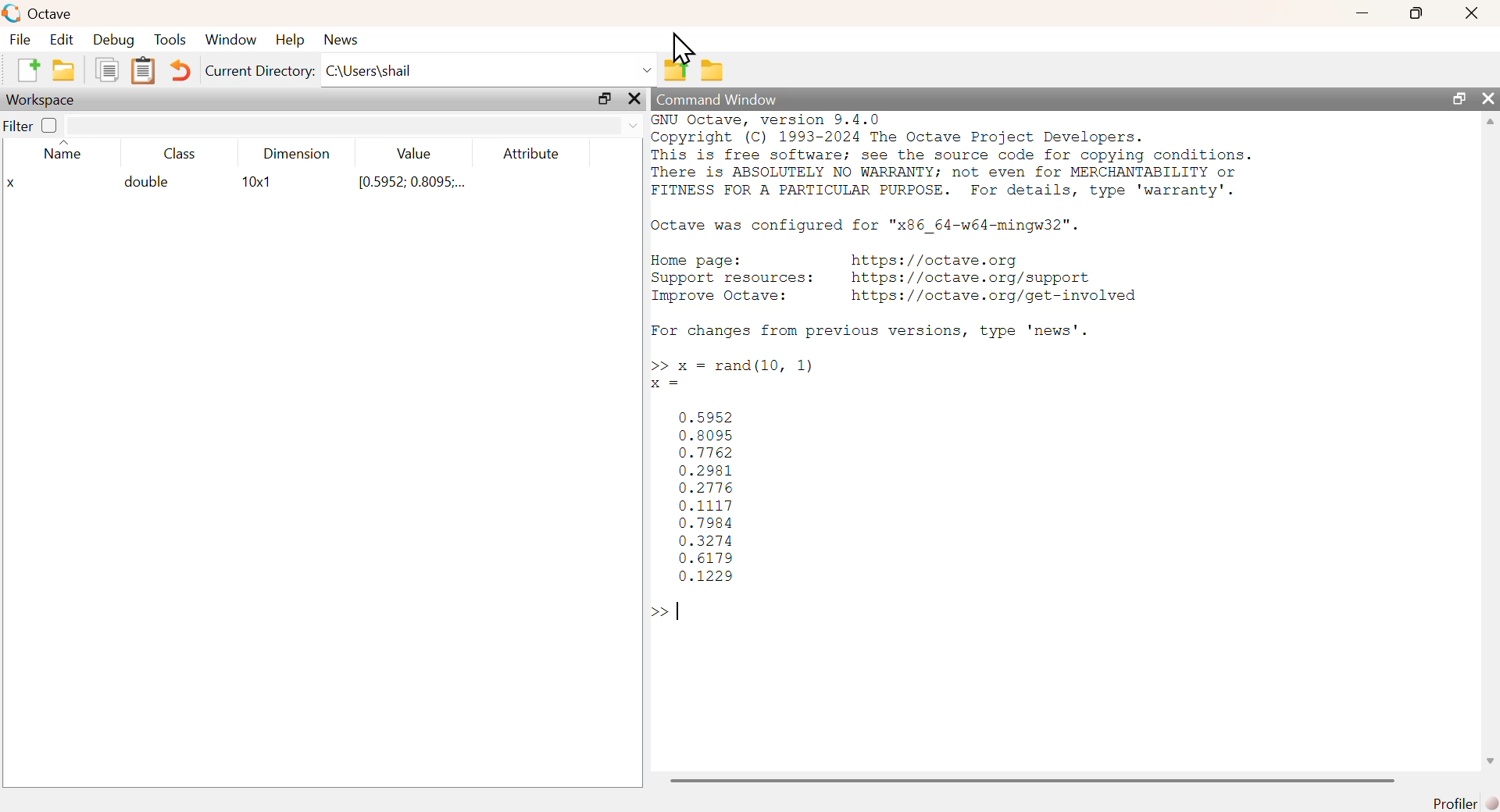 The width and height of the screenshot is (1500, 812). What do you see at coordinates (677, 611) in the screenshot?
I see `text cursor` at bounding box center [677, 611].